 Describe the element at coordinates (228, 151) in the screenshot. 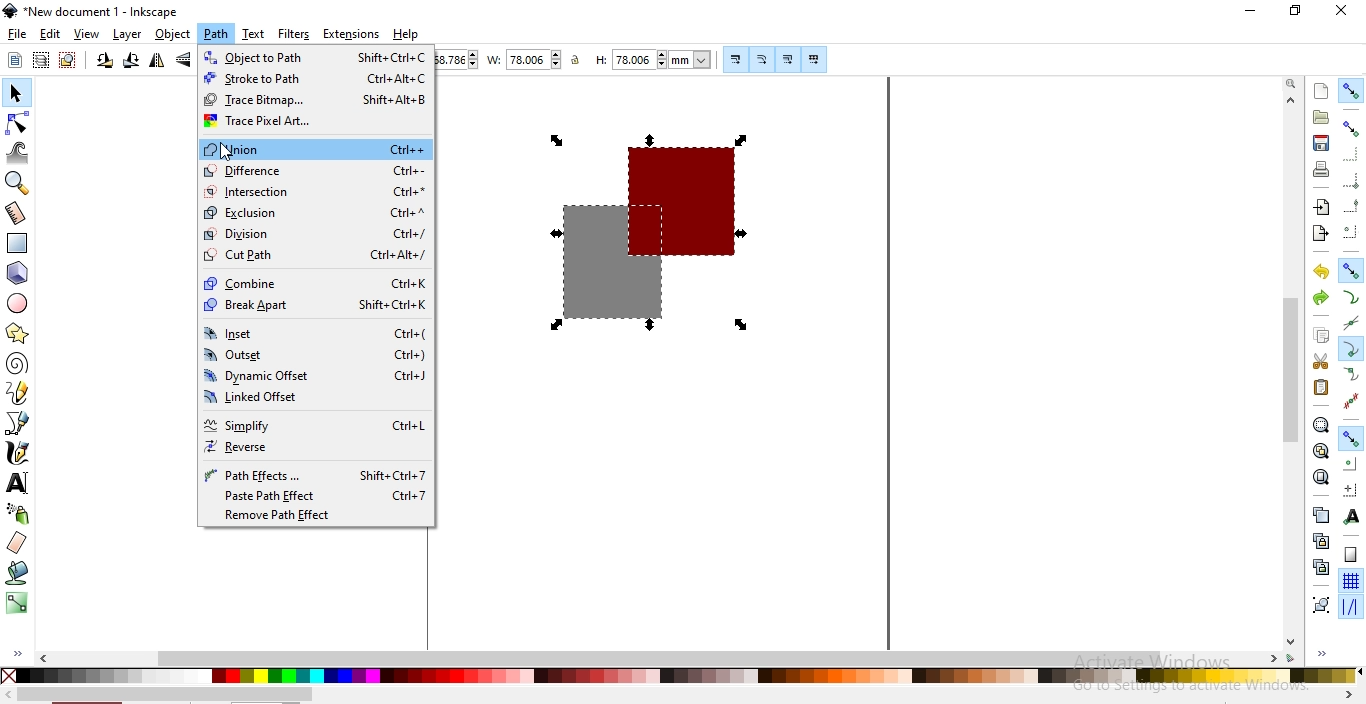

I see `cursor` at that location.